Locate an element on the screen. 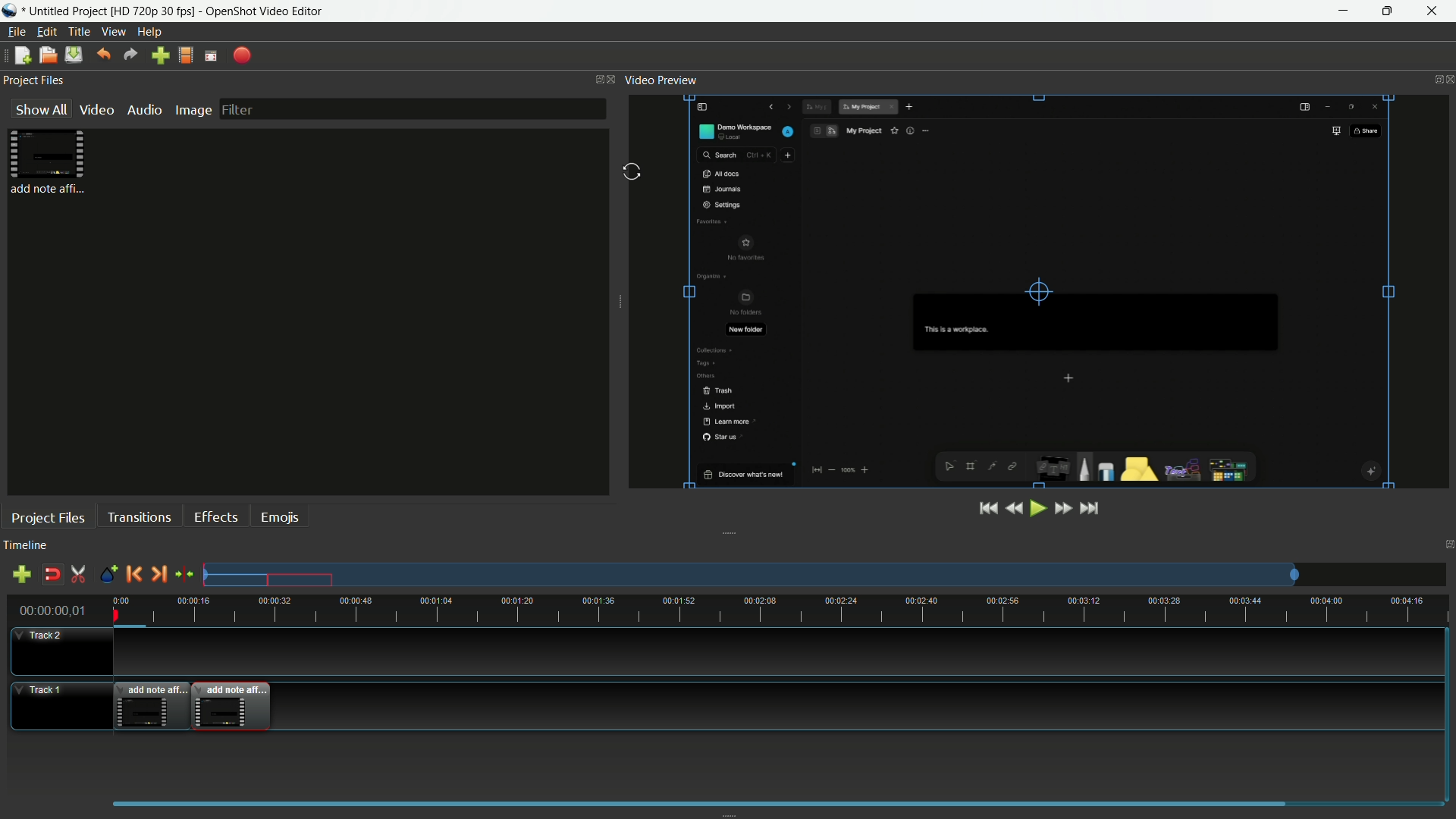  scrollbar is located at coordinates (699, 801).